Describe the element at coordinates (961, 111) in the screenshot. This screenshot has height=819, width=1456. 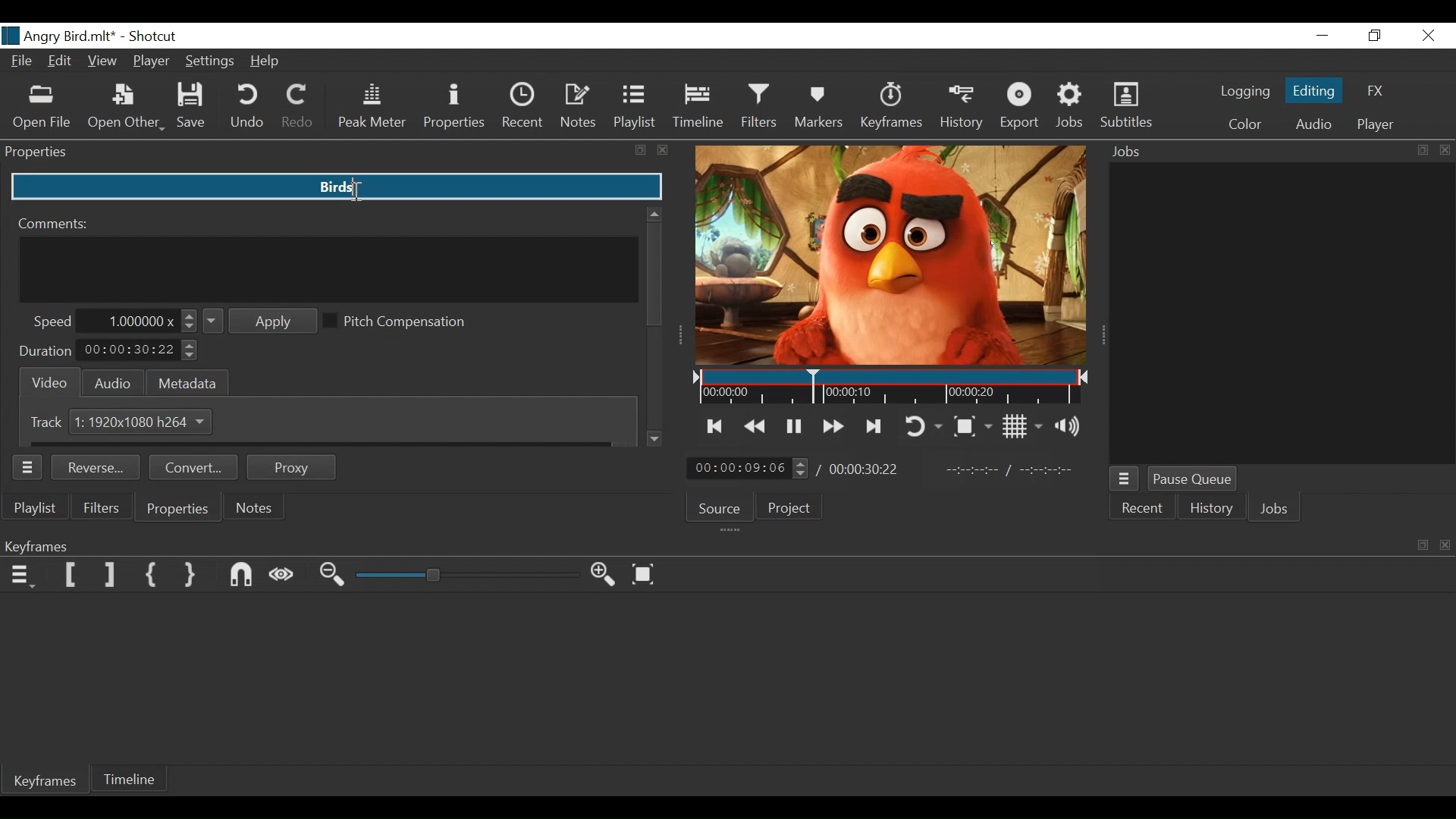
I see `History` at that location.